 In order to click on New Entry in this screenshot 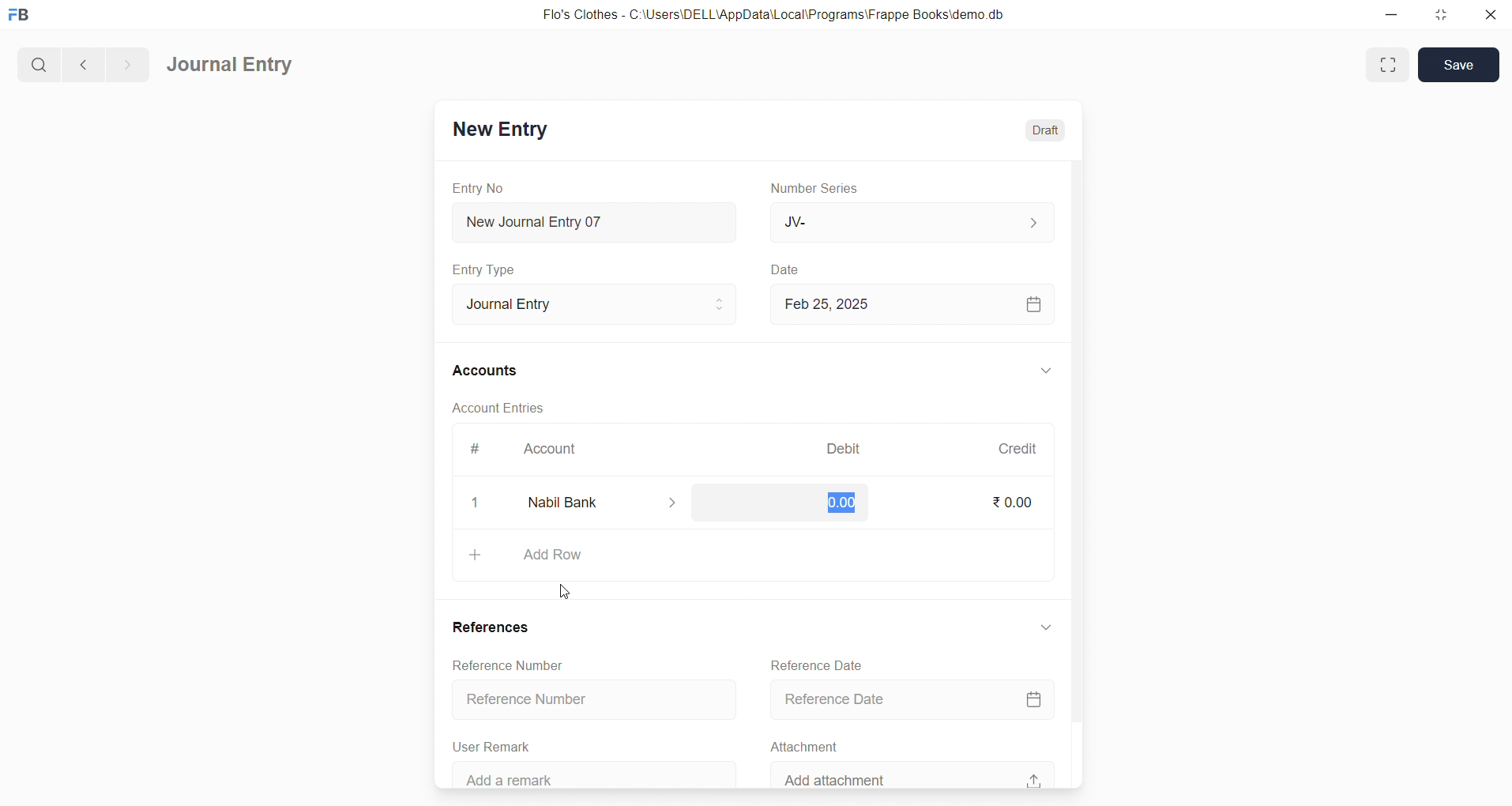, I will do `click(499, 129)`.